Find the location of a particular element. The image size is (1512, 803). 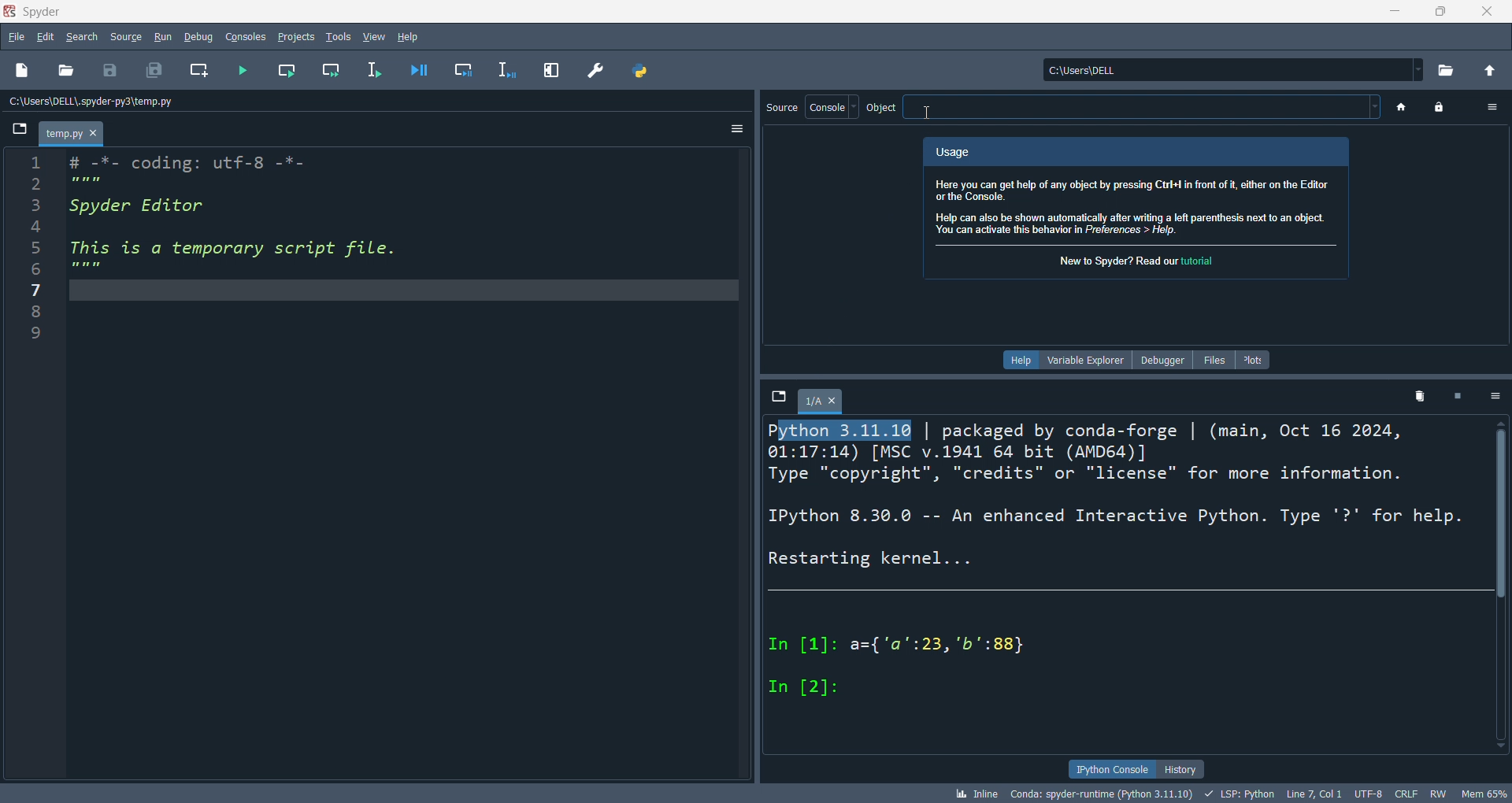

help is located at coordinates (1017, 360).